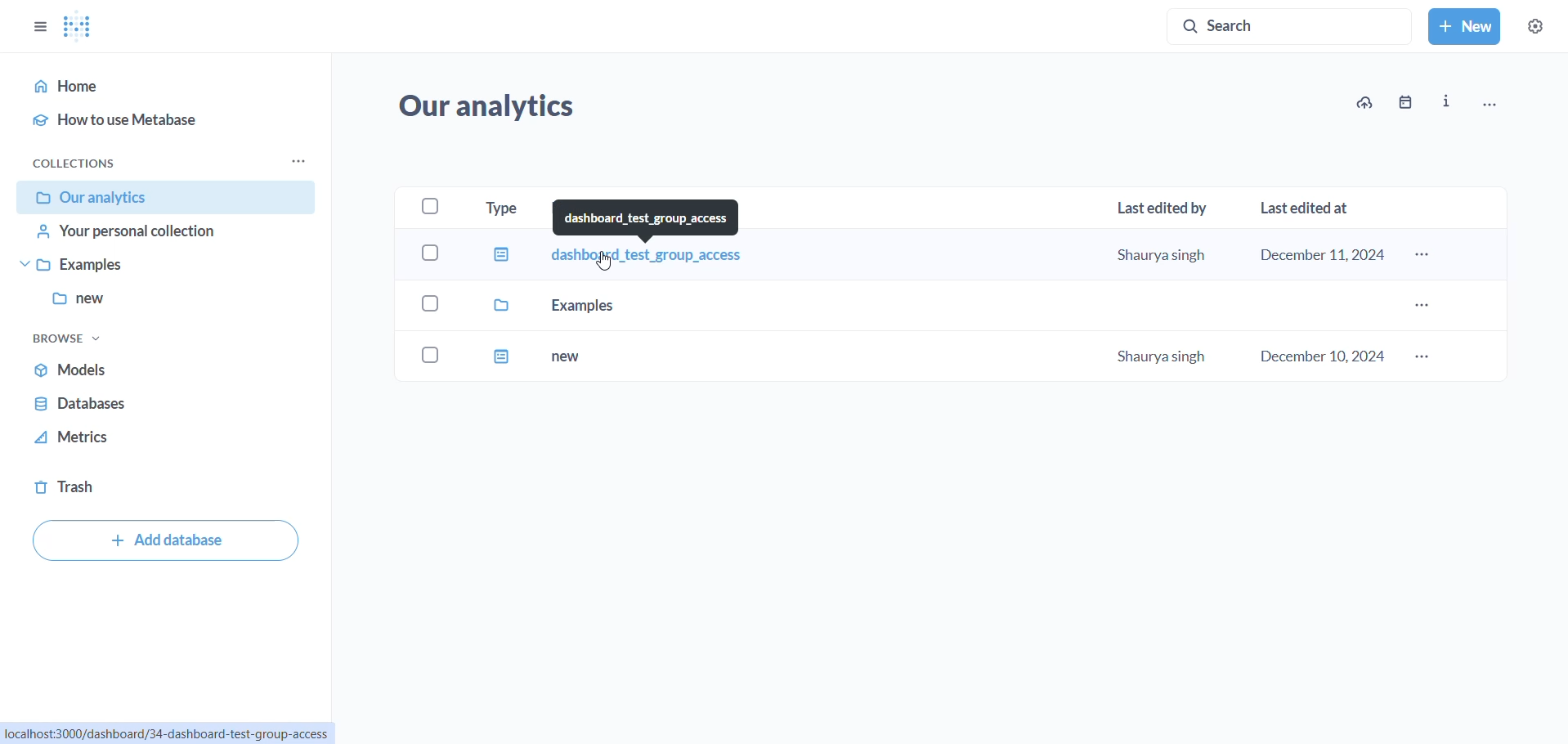 The width and height of the screenshot is (1568, 744). What do you see at coordinates (429, 356) in the screenshot?
I see `select checkbox` at bounding box center [429, 356].